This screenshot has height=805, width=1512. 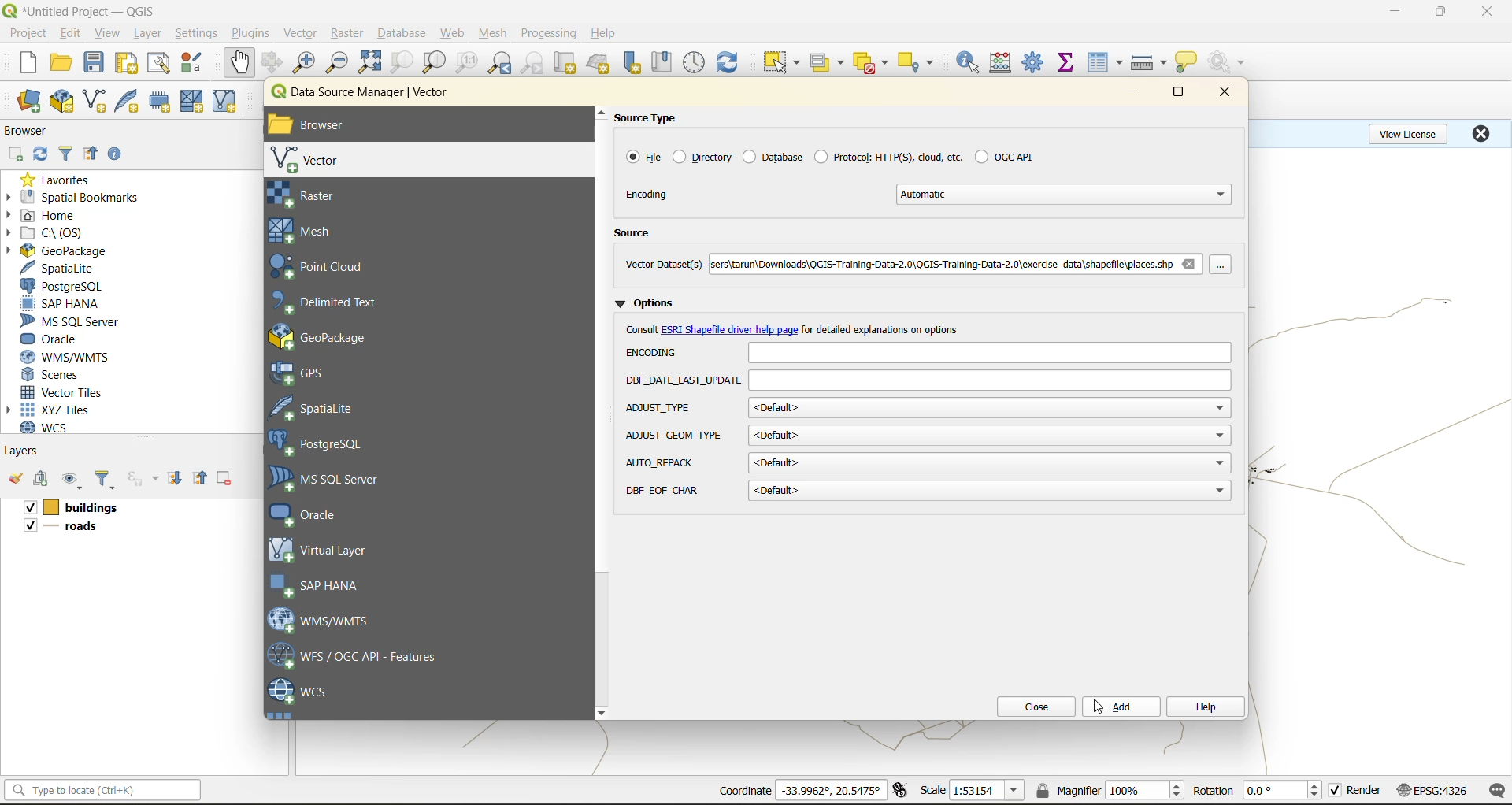 I want to click on postgresql, so click(x=61, y=287).